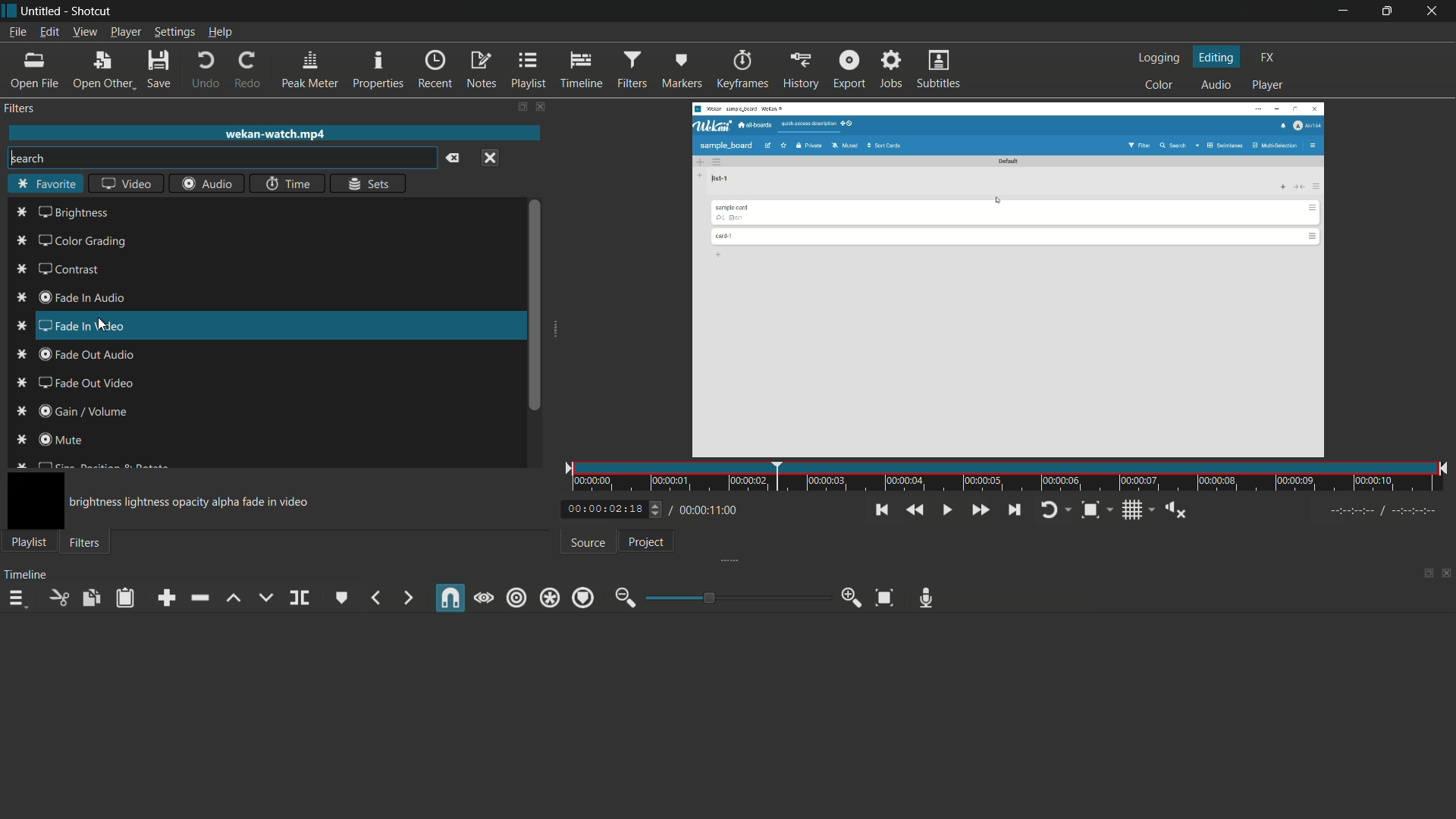  Describe the element at coordinates (681, 71) in the screenshot. I see `markers` at that location.